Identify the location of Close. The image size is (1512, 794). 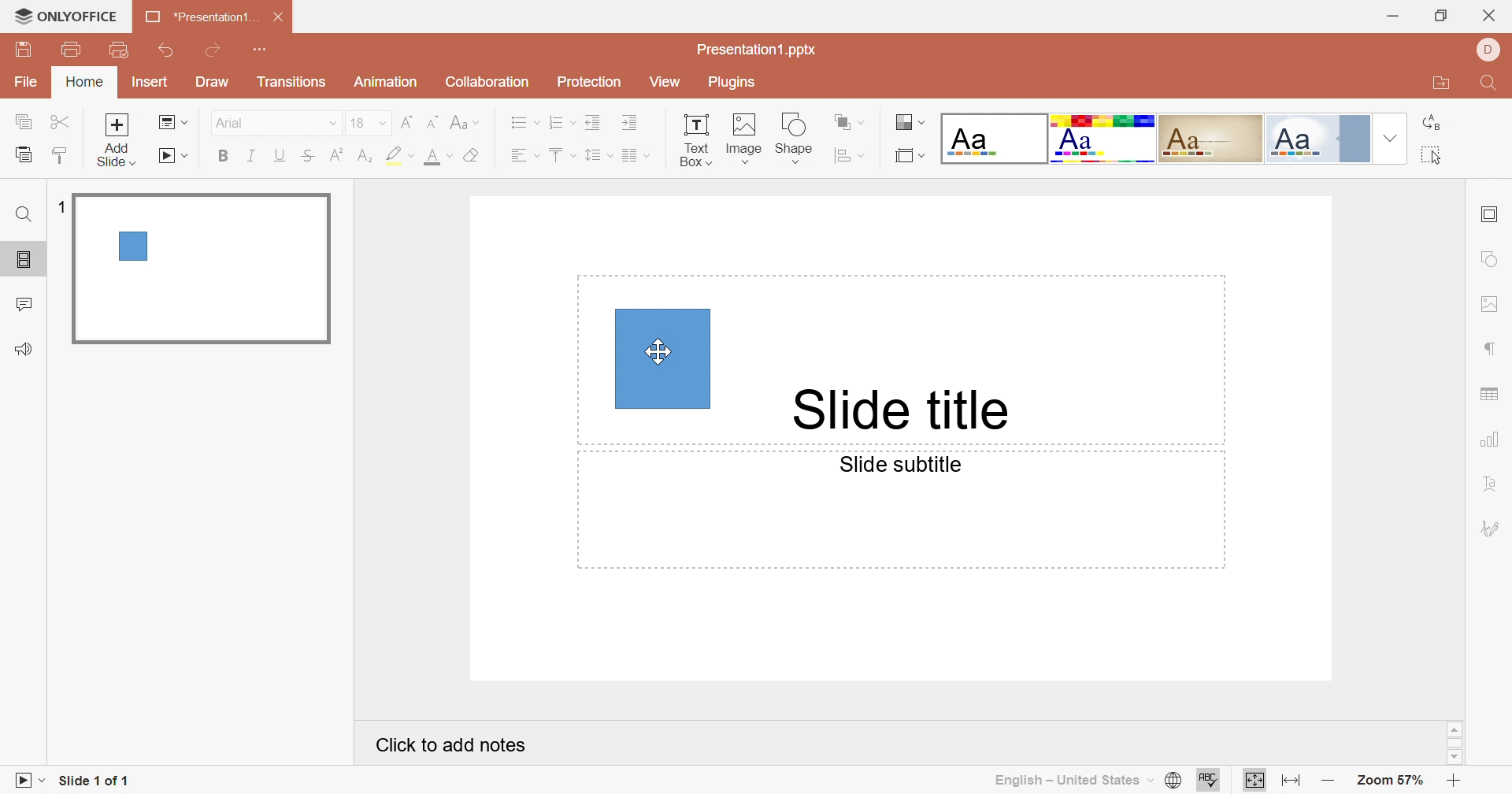
(1490, 16).